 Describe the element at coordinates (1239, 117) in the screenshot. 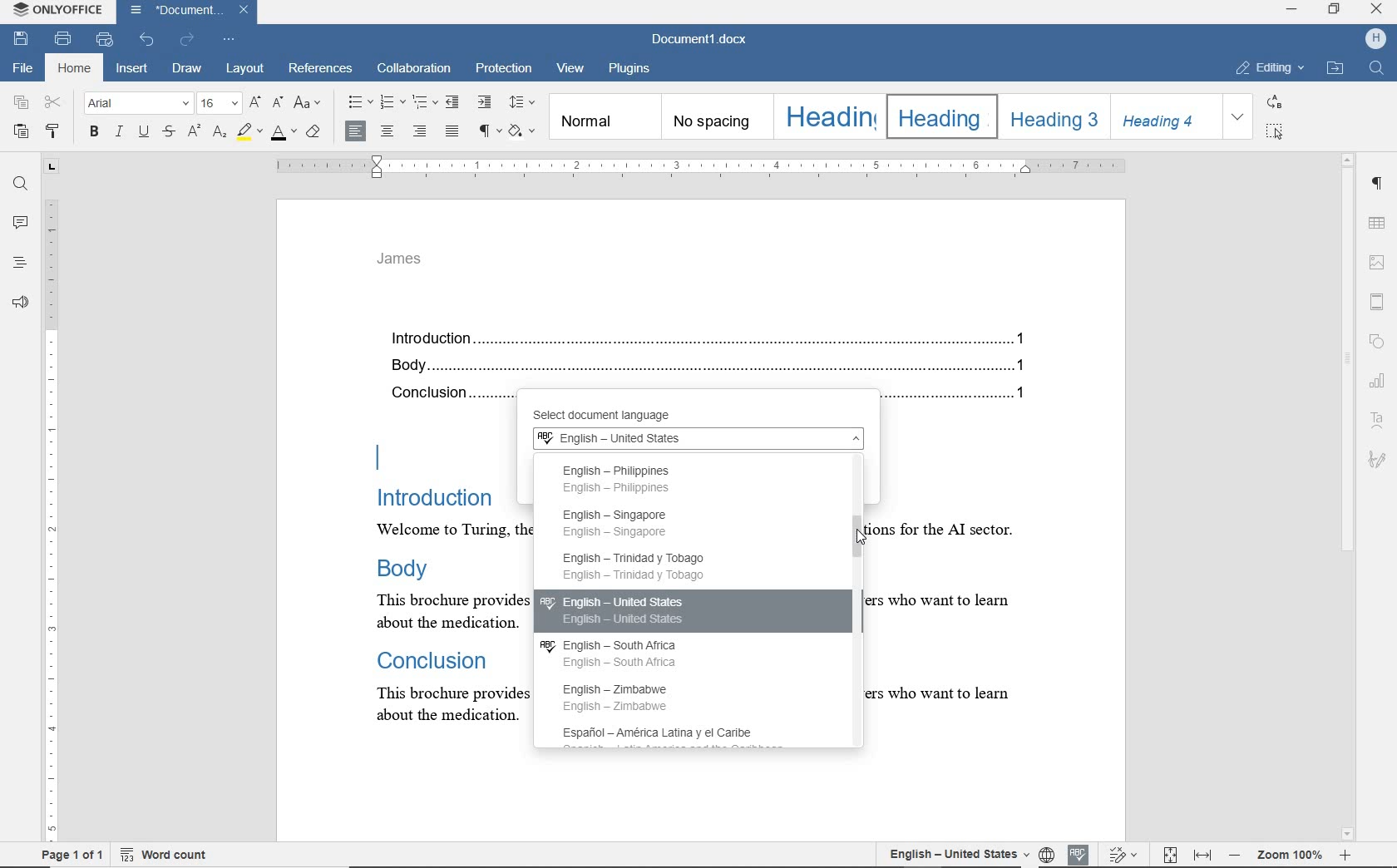

I see `EXPAND` at that location.